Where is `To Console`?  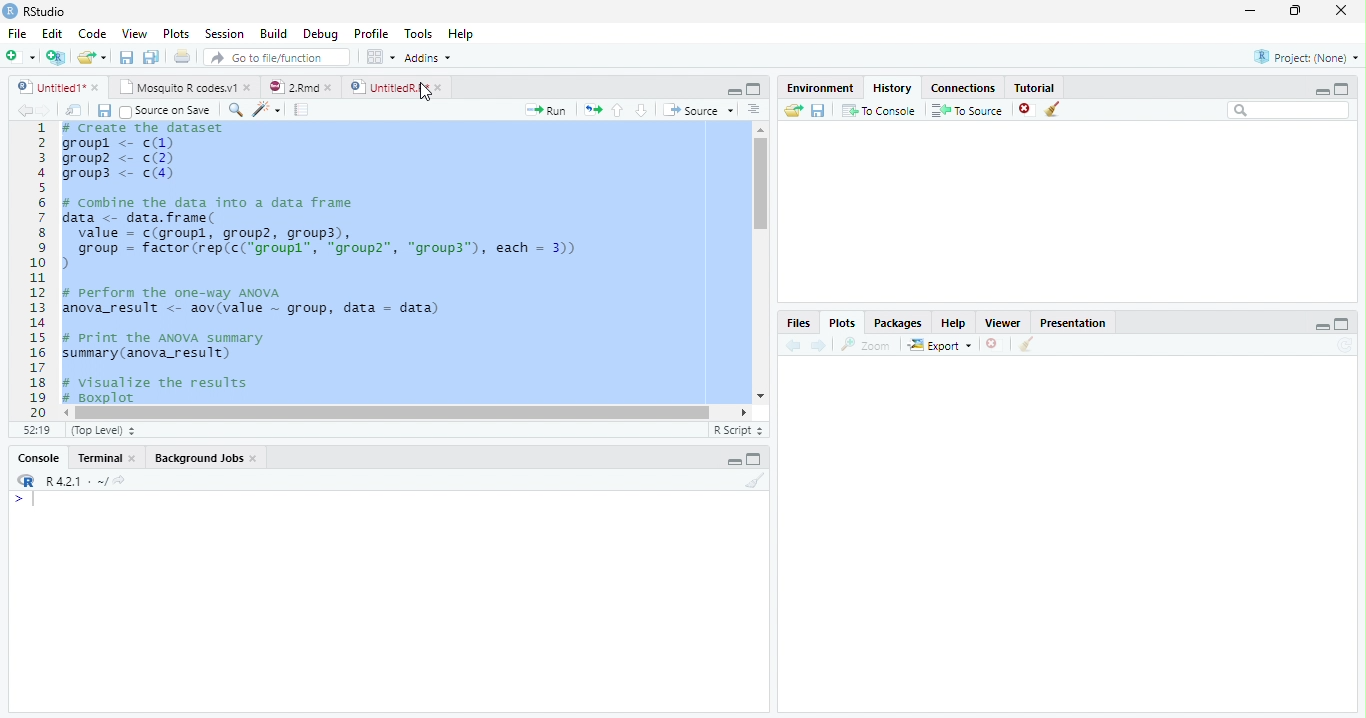 To Console is located at coordinates (879, 110).